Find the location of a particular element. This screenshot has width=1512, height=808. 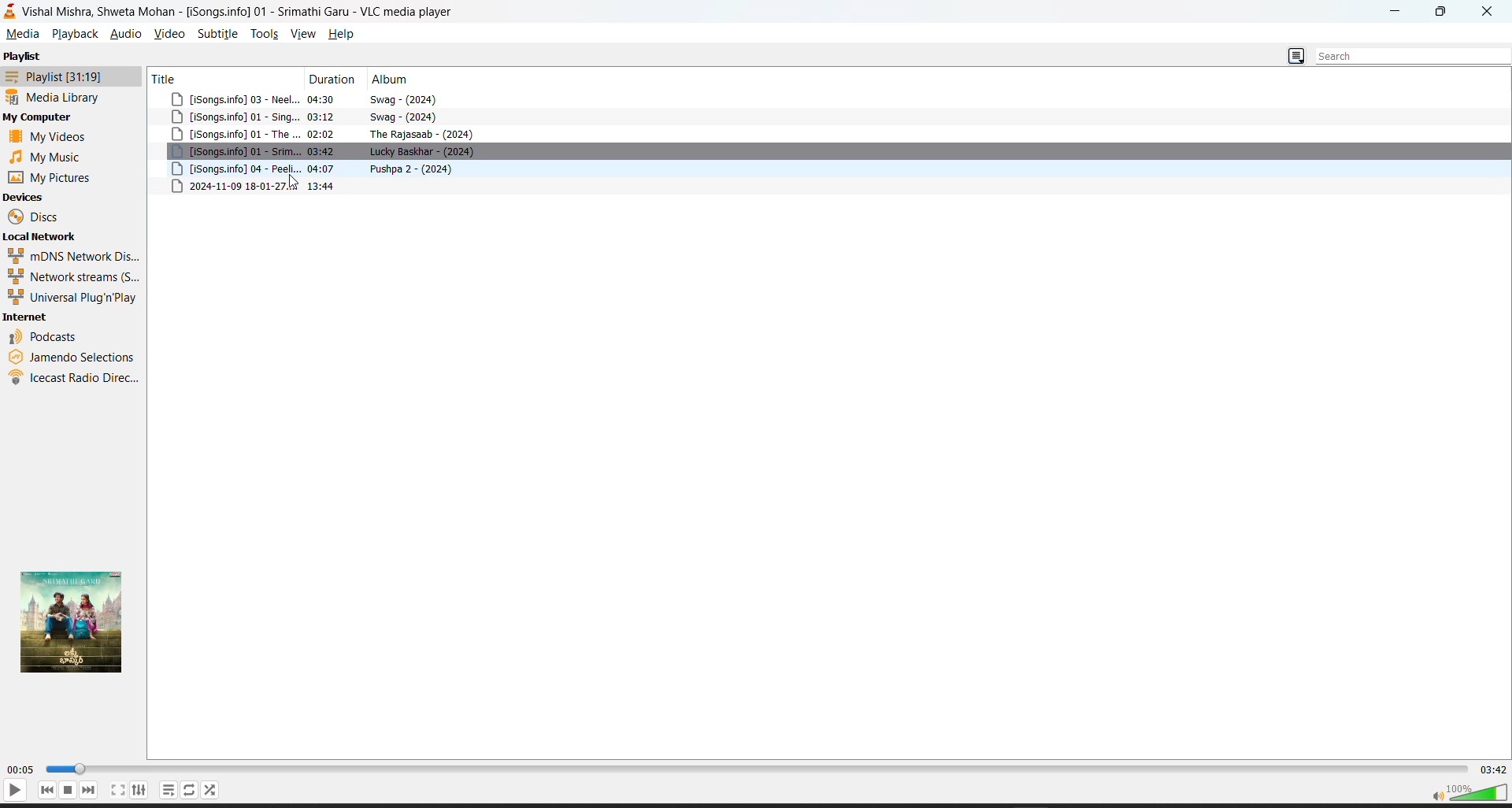

song info 01-srim is located at coordinates (232, 151).